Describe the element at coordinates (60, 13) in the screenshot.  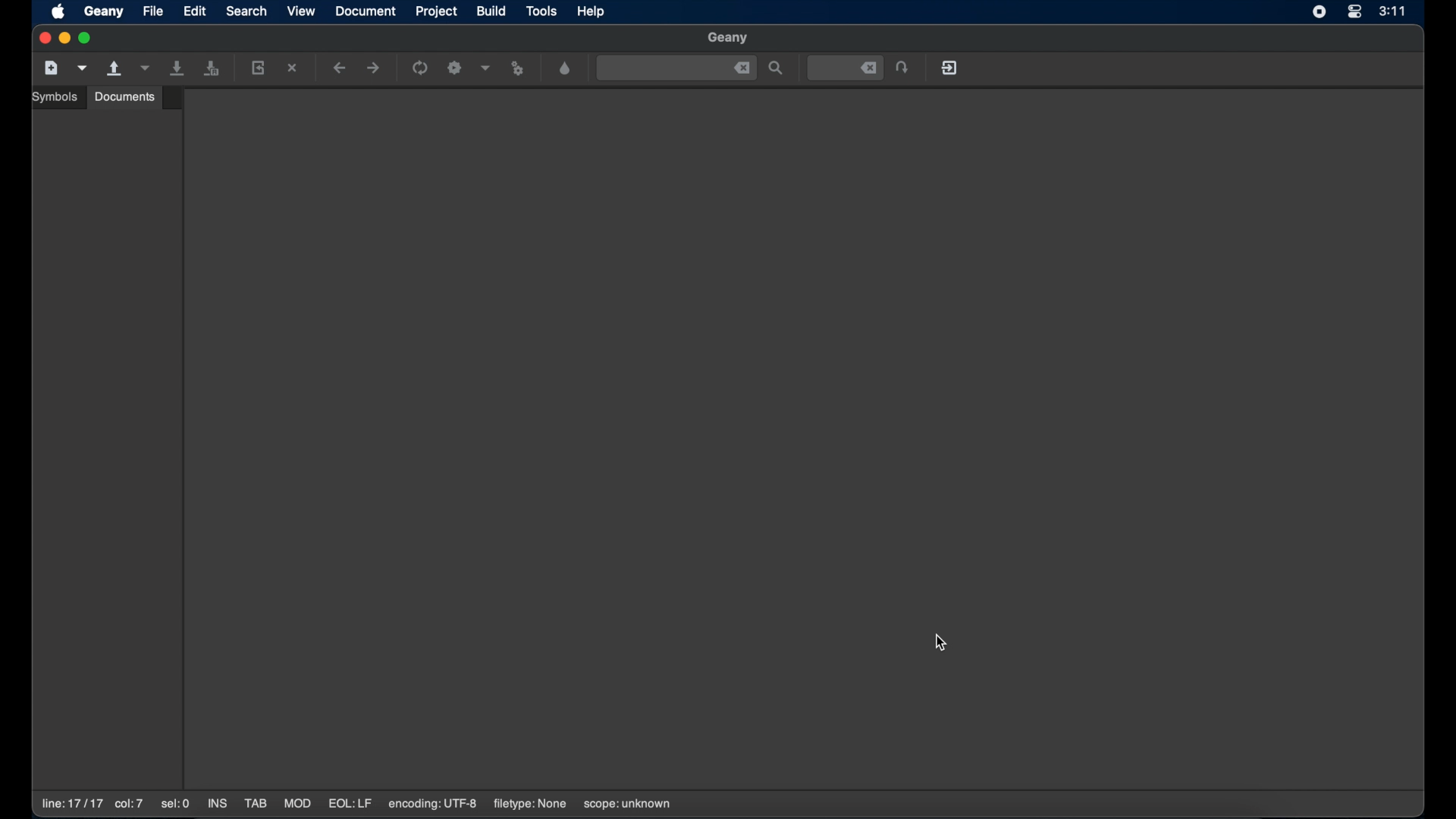
I see `apple icon` at that location.